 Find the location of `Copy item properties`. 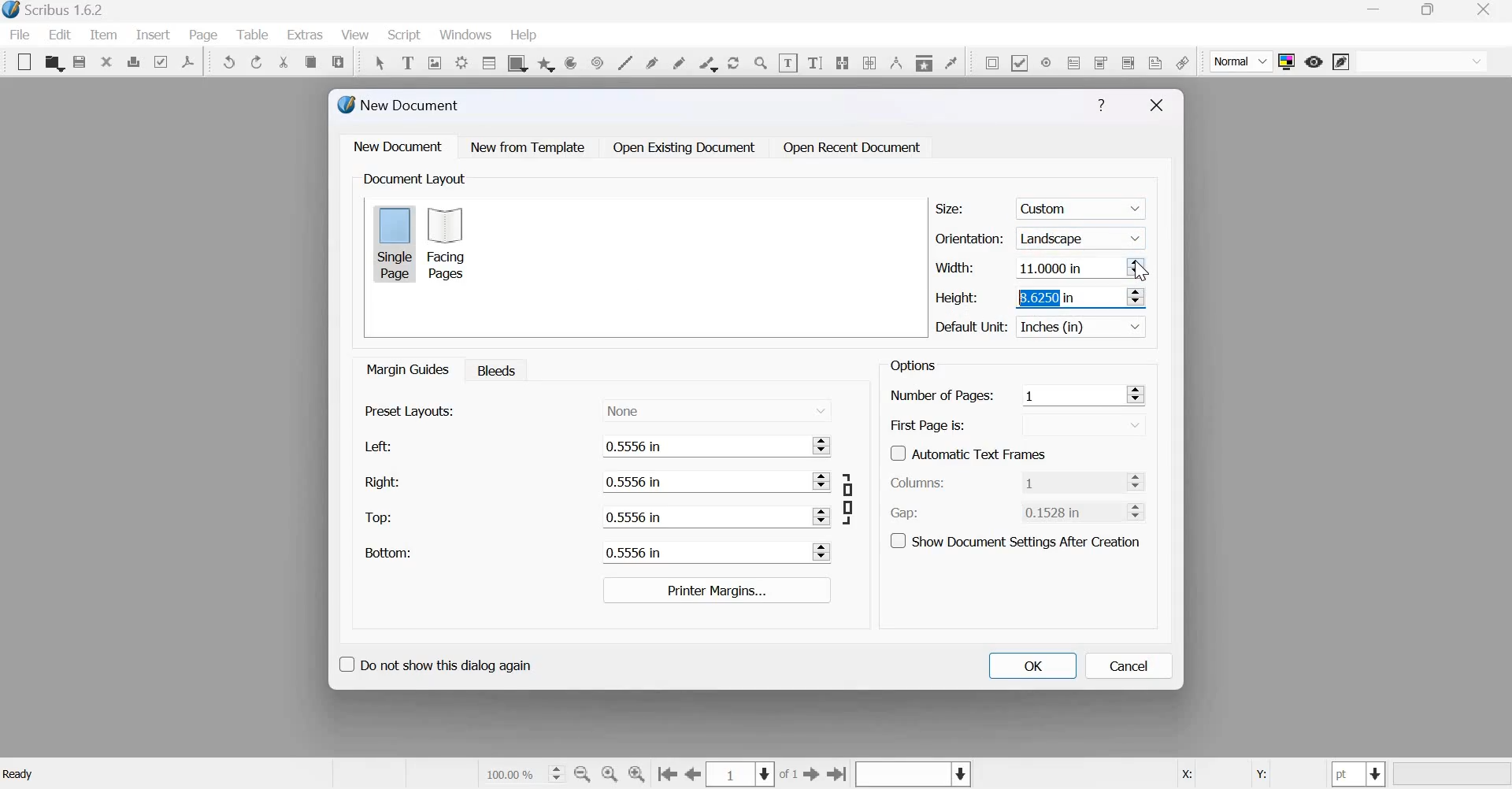

Copy item properties is located at coordinates (923, 61).